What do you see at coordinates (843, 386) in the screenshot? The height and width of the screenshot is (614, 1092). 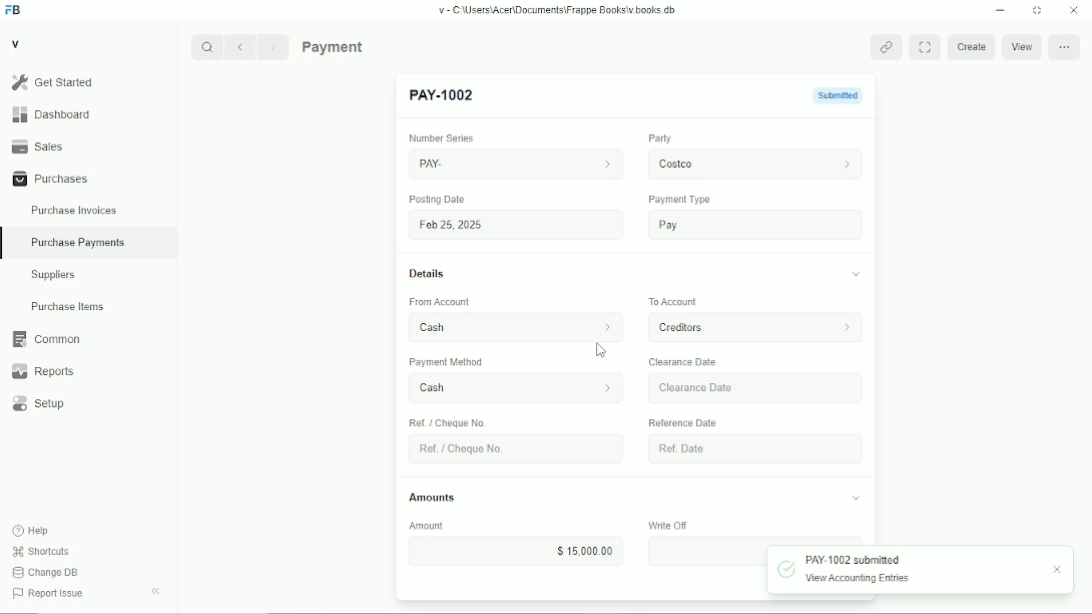 I see `calender` at bounding box center [843, 386].